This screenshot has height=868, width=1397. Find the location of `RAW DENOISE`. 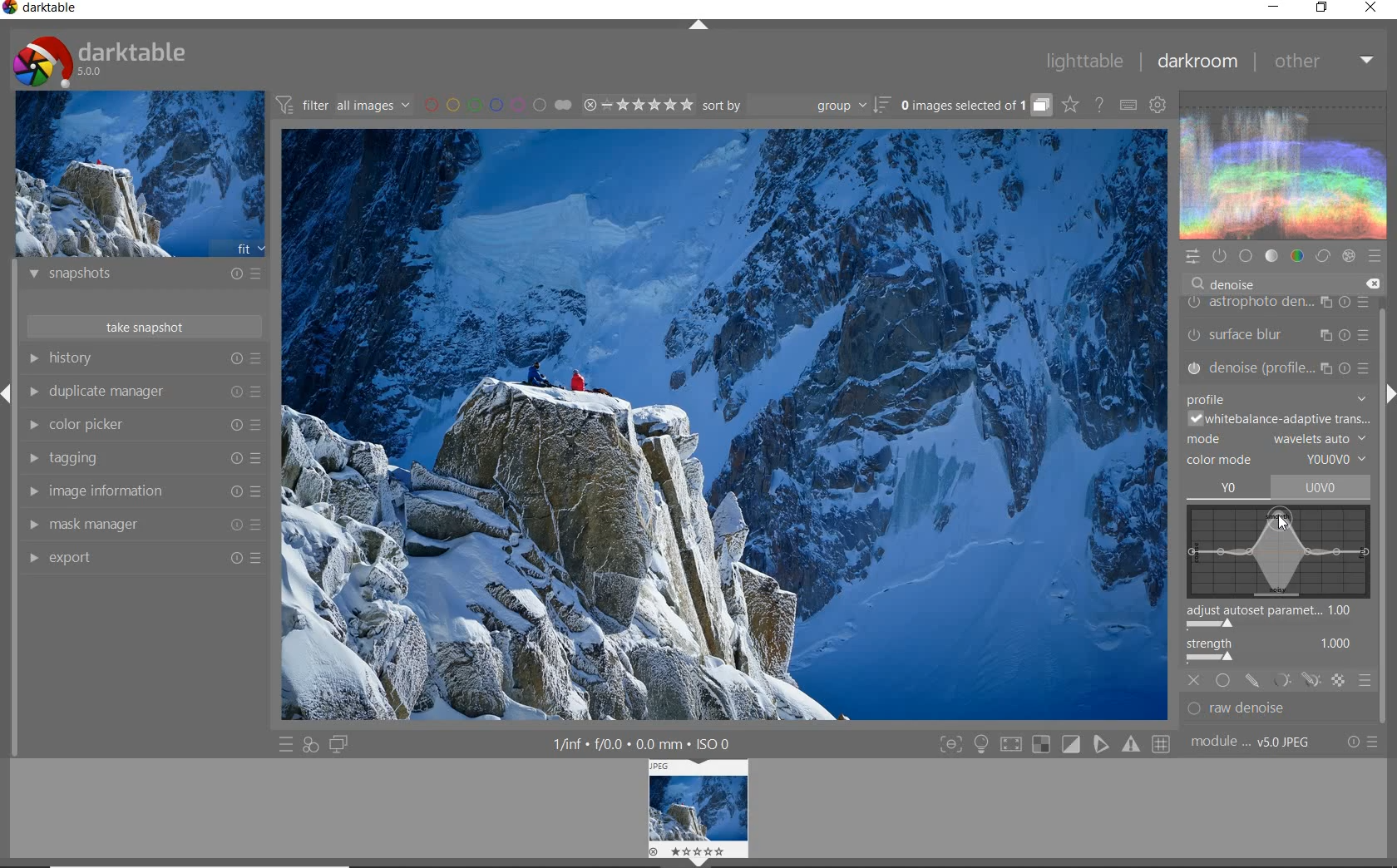

RAW DENOISE is located at coordinates (1264, 710).